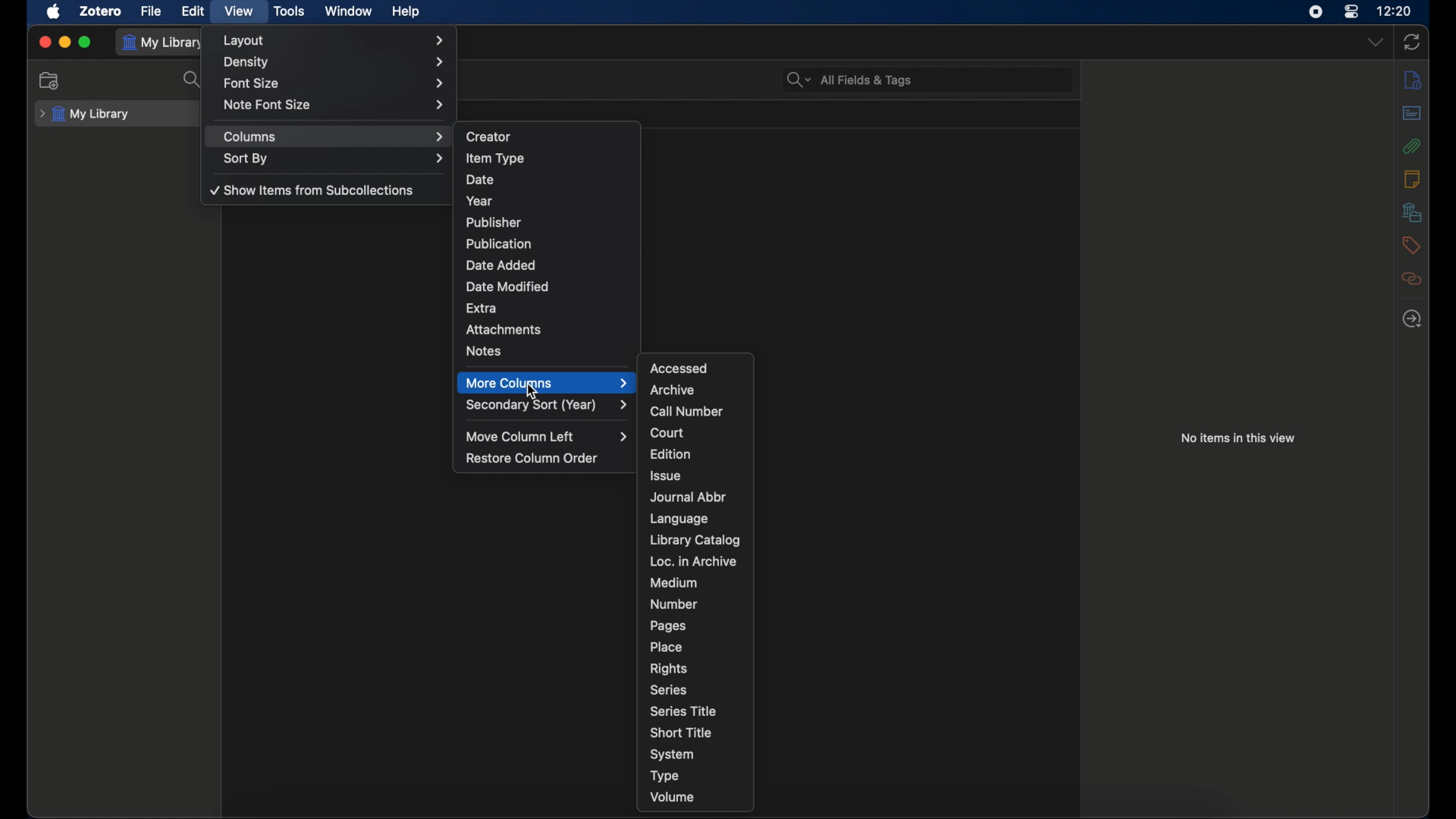 The width and height of the screenshot is (1456, 819). What do you see at coordinates (1410, 146) in the screenshot?
I see `attachments` at bounding box center [1410, 146].